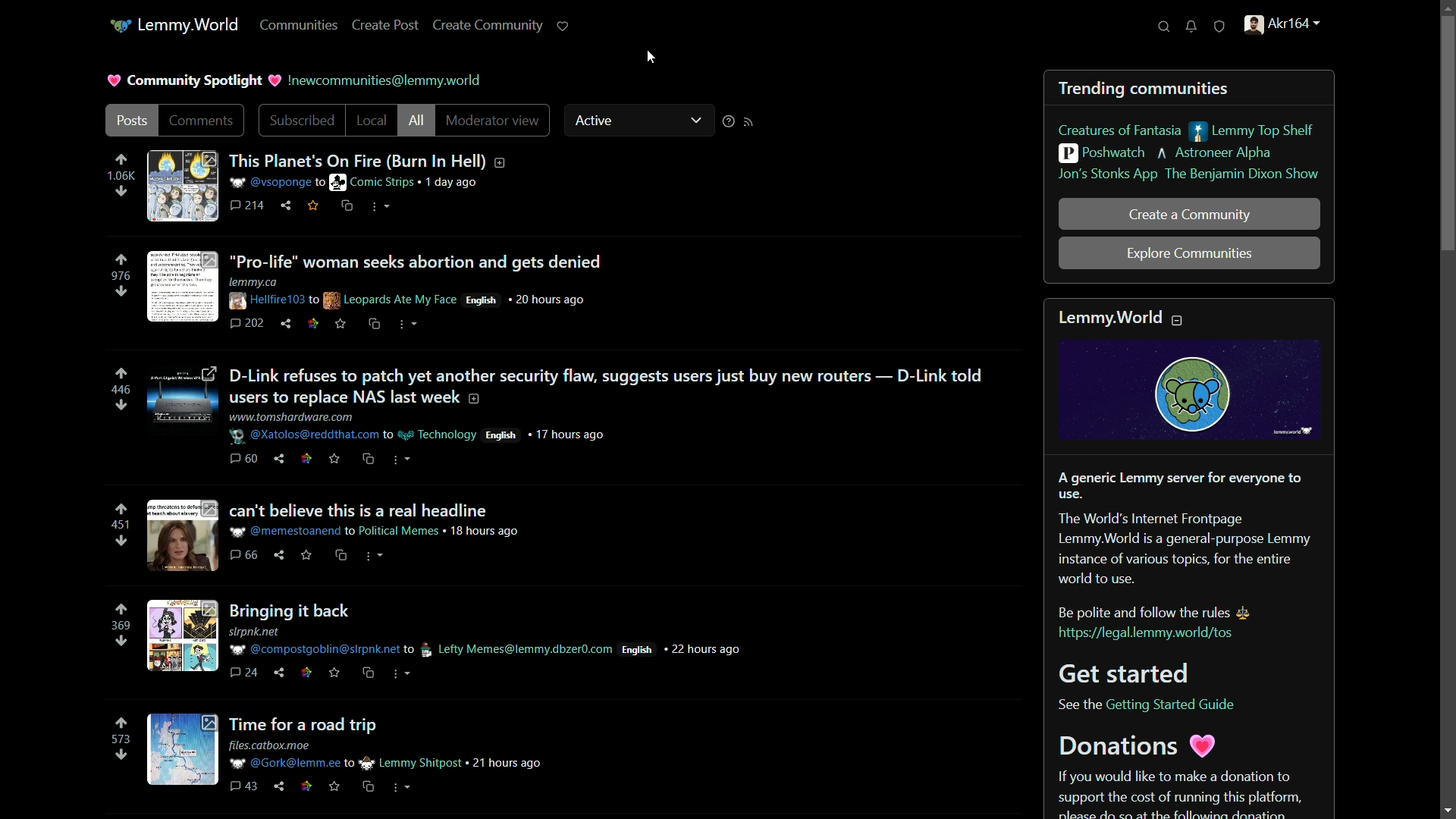 The width and height of the screenshot is (1456, 819). What do you see at coordinates (313, 207) in the screenshot?
I see `saved` at bounding box center [313, 207].